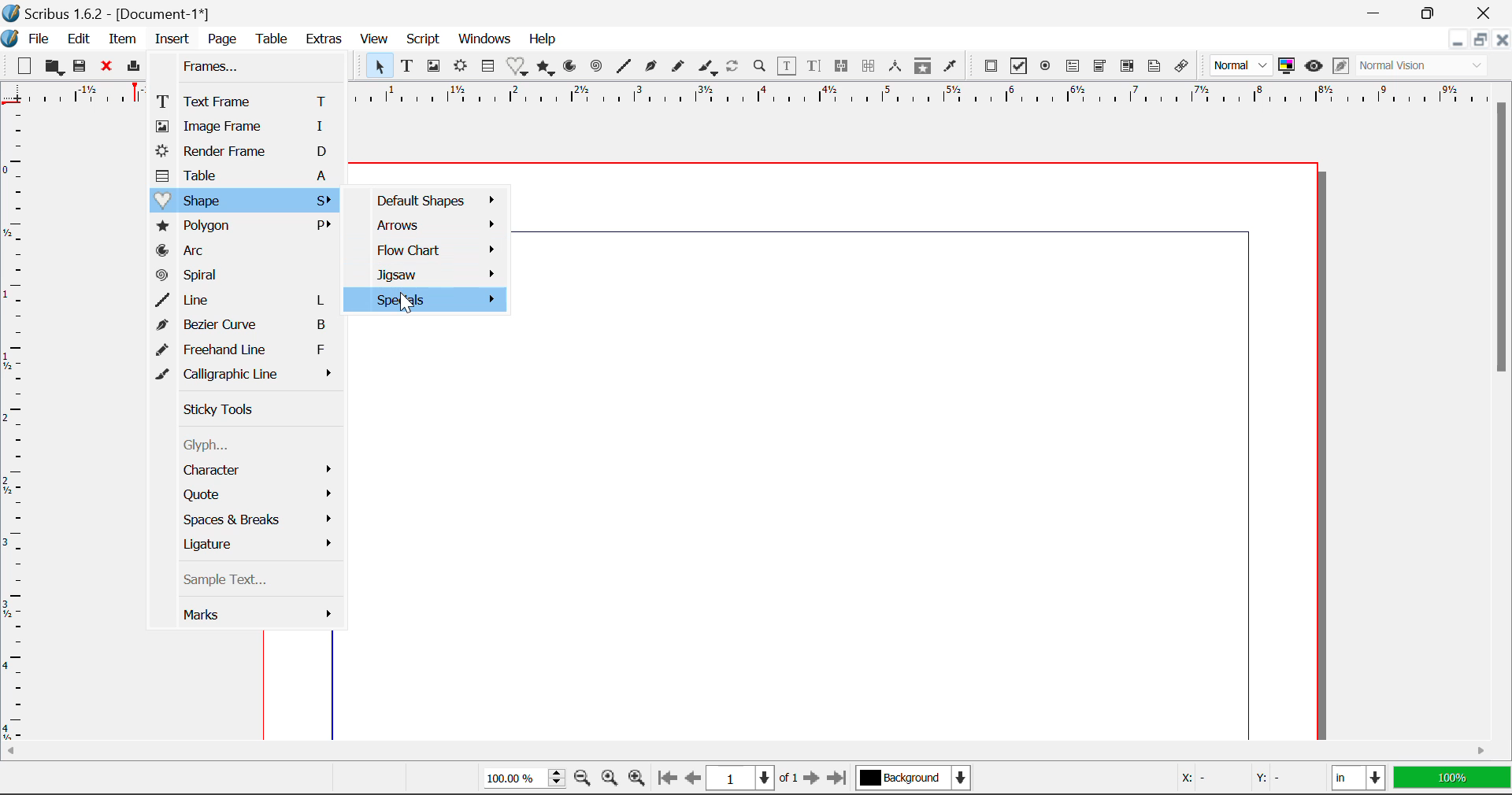 The image size is (1512, 795). I want to click on Edit, so click(79, 39).